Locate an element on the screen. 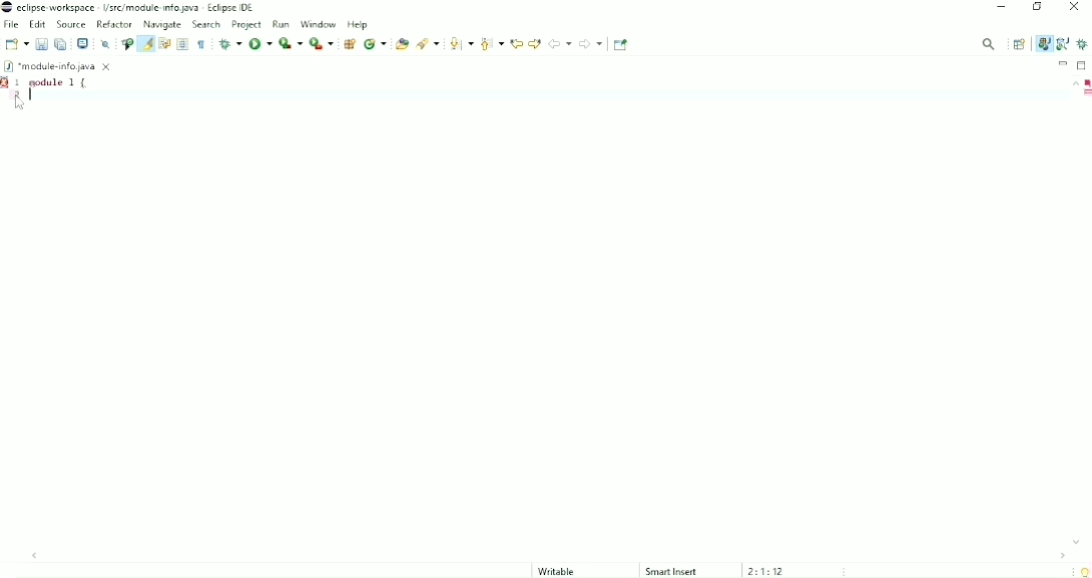  Toggle breadcrumb is located at coordinates (126, 44).